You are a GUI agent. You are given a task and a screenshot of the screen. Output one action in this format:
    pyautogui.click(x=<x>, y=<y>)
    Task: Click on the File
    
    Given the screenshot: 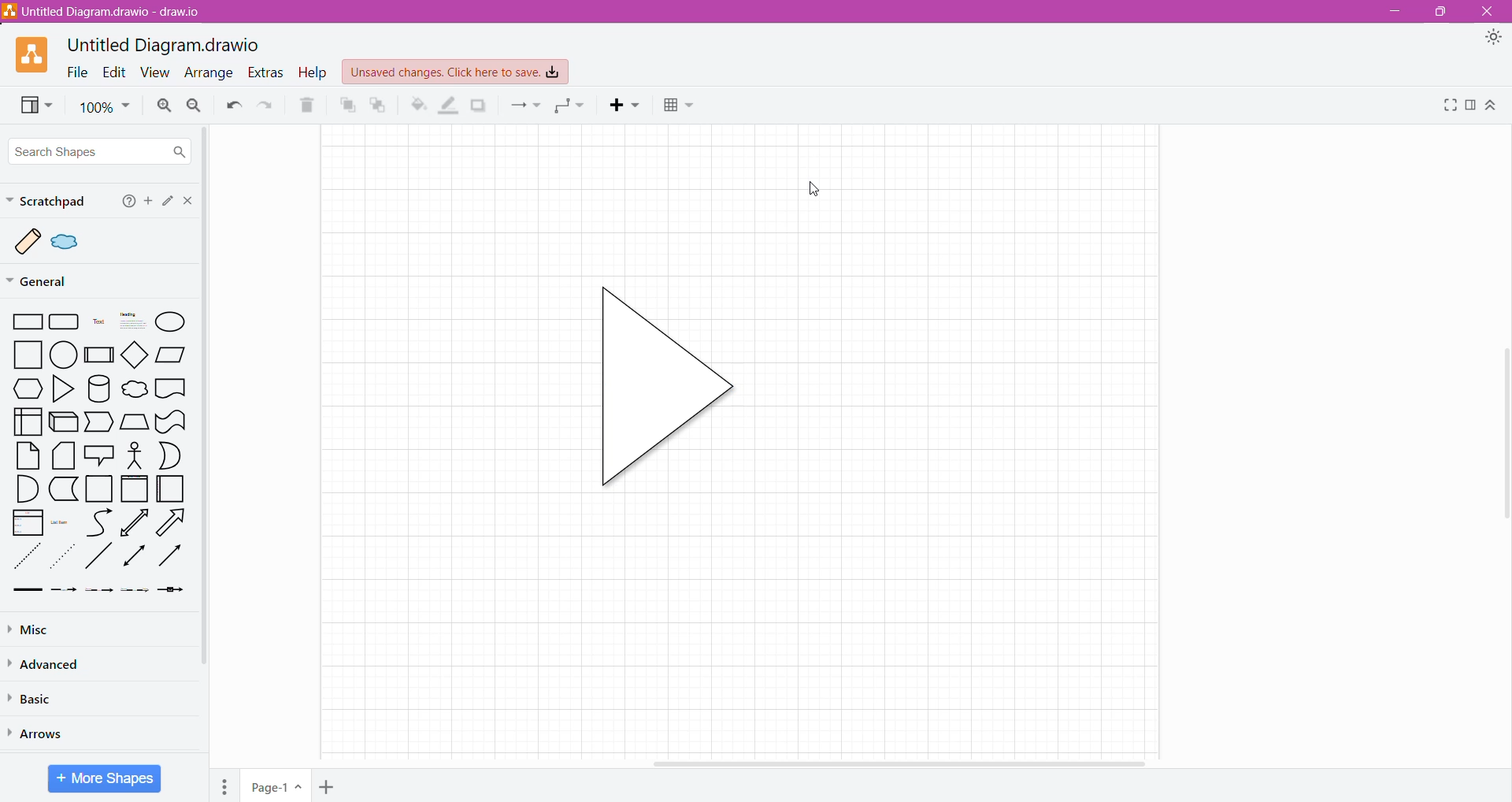 What is the action you would take?
    pyautogui.click(x=77, y=72)
    